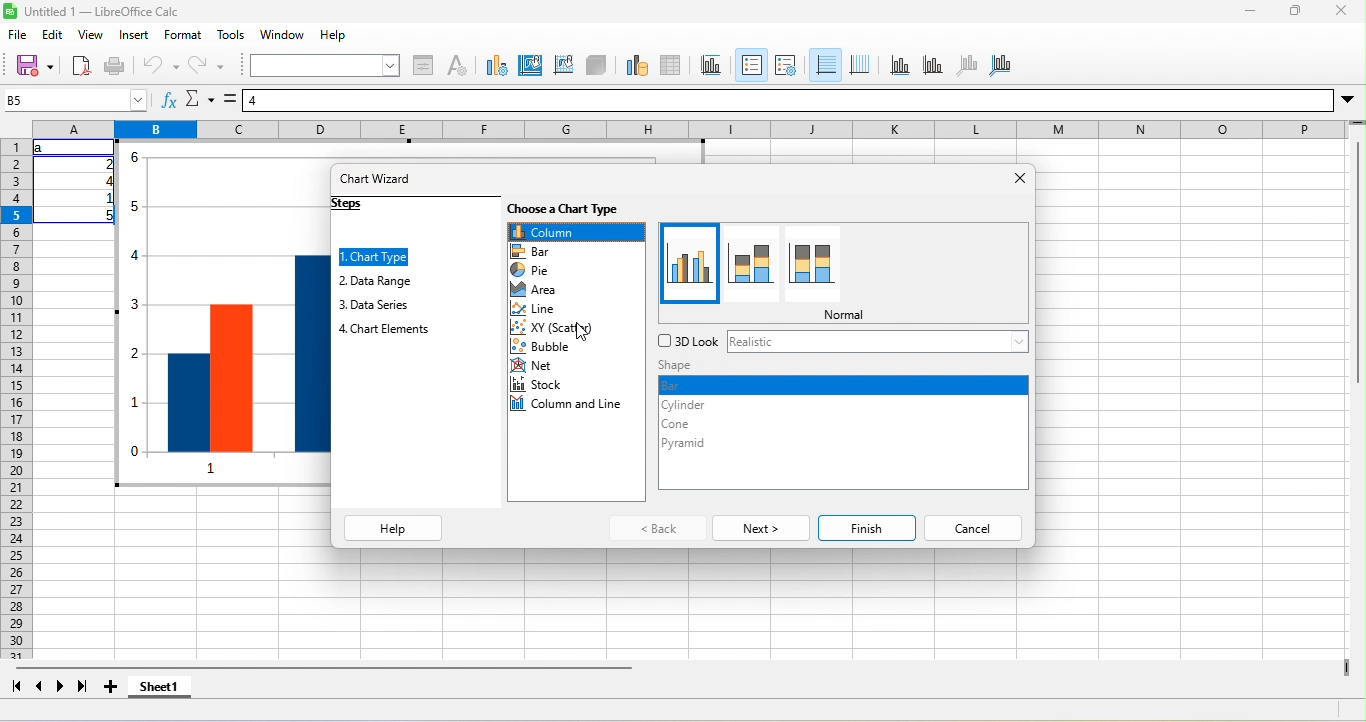 Image resolution: width=1366 pixels, height=722 pixels. Describe the element at coordinates (183, 35) in the screenshot. I see `format` at that location.